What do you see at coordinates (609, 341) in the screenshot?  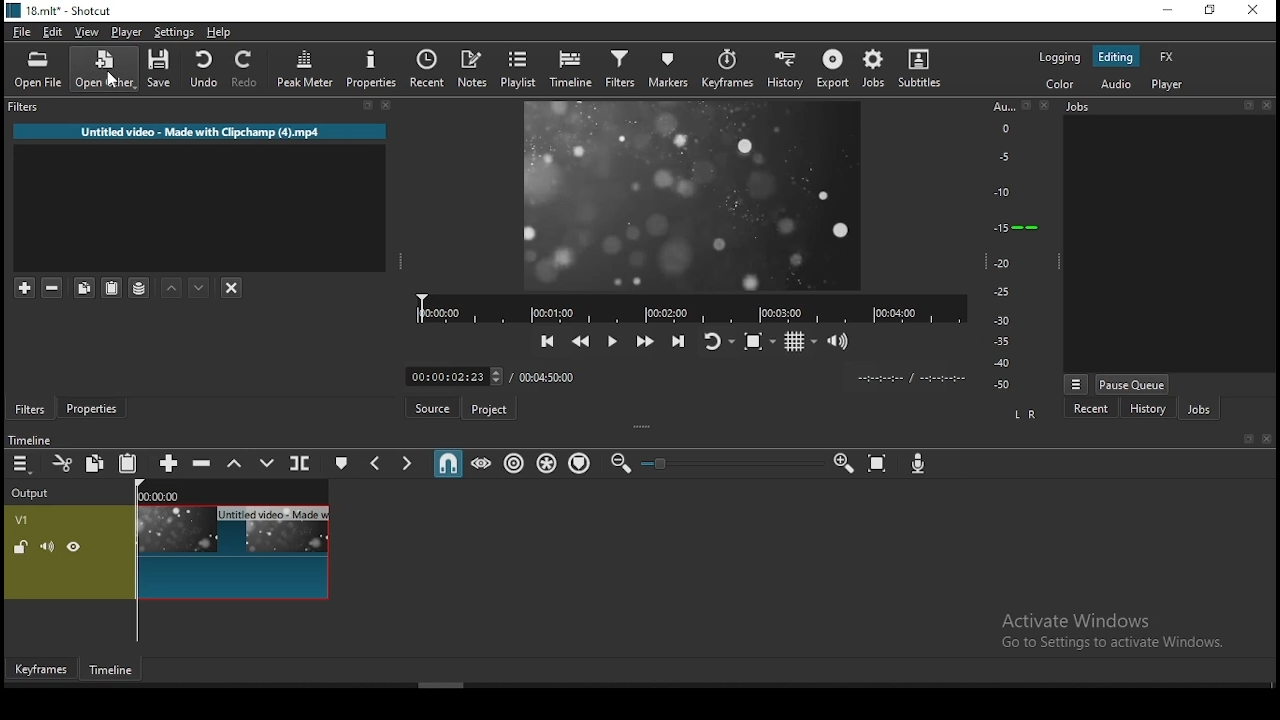 I see `play/pause` at bounding box center [609, 341].